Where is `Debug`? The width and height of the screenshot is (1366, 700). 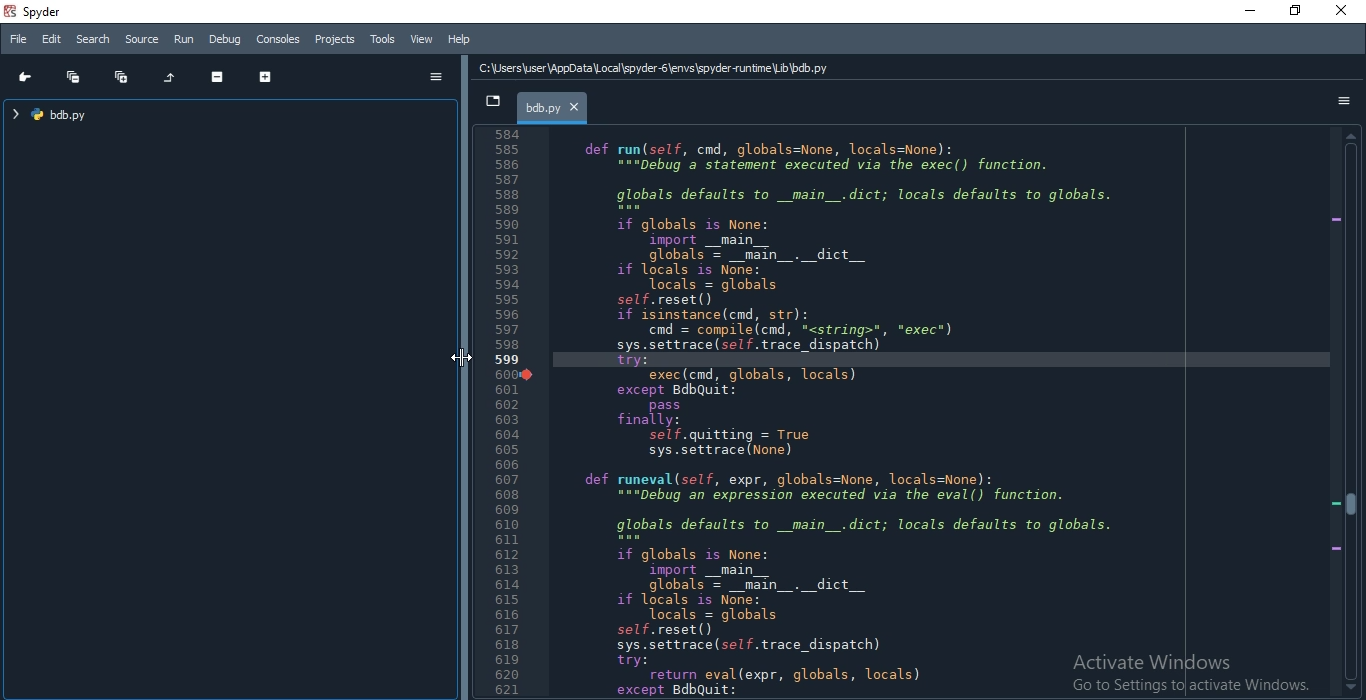 Debug is located at coordinates (226, 39).